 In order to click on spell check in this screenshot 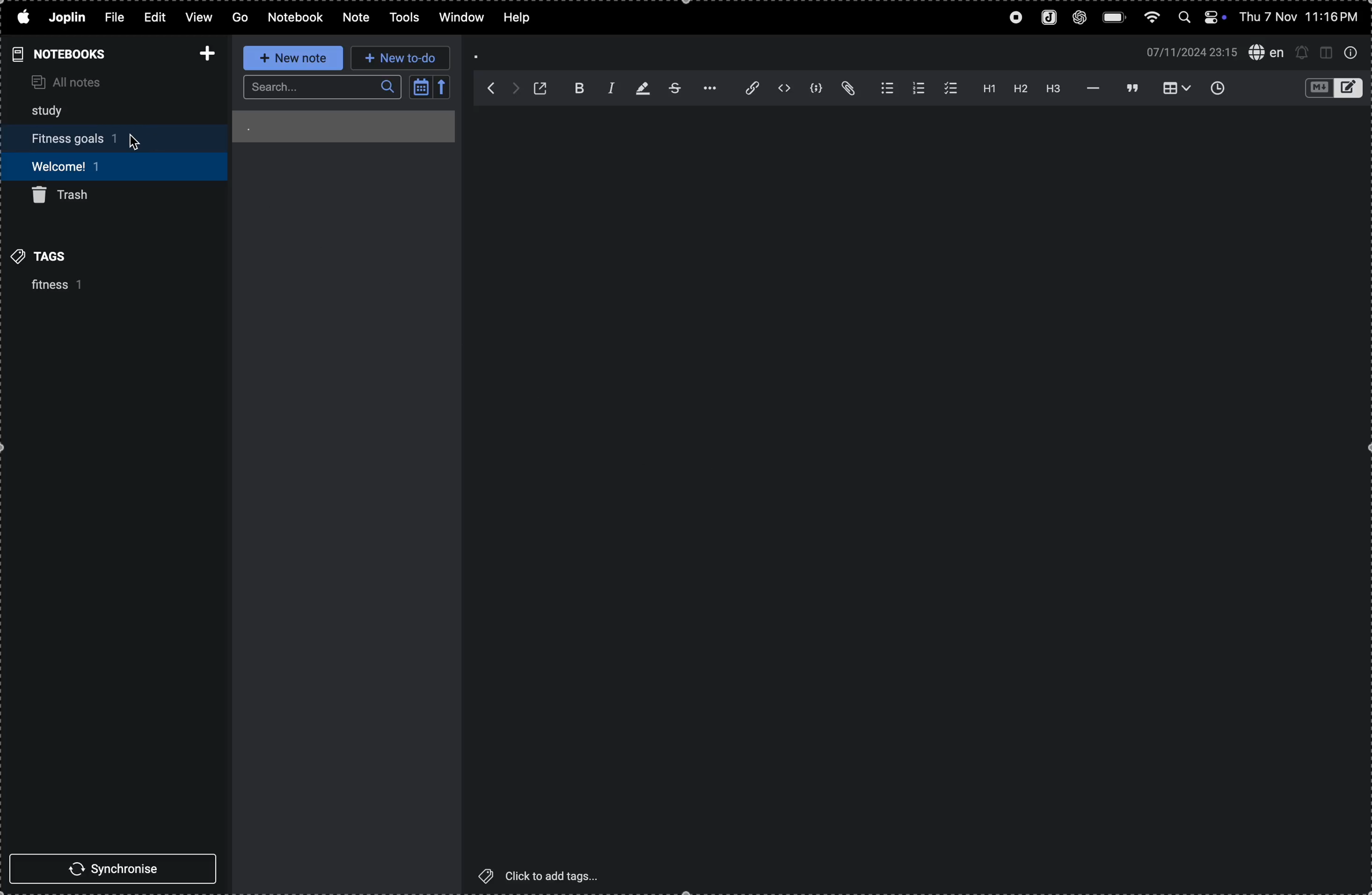, I will do `click(1264, 53)`.